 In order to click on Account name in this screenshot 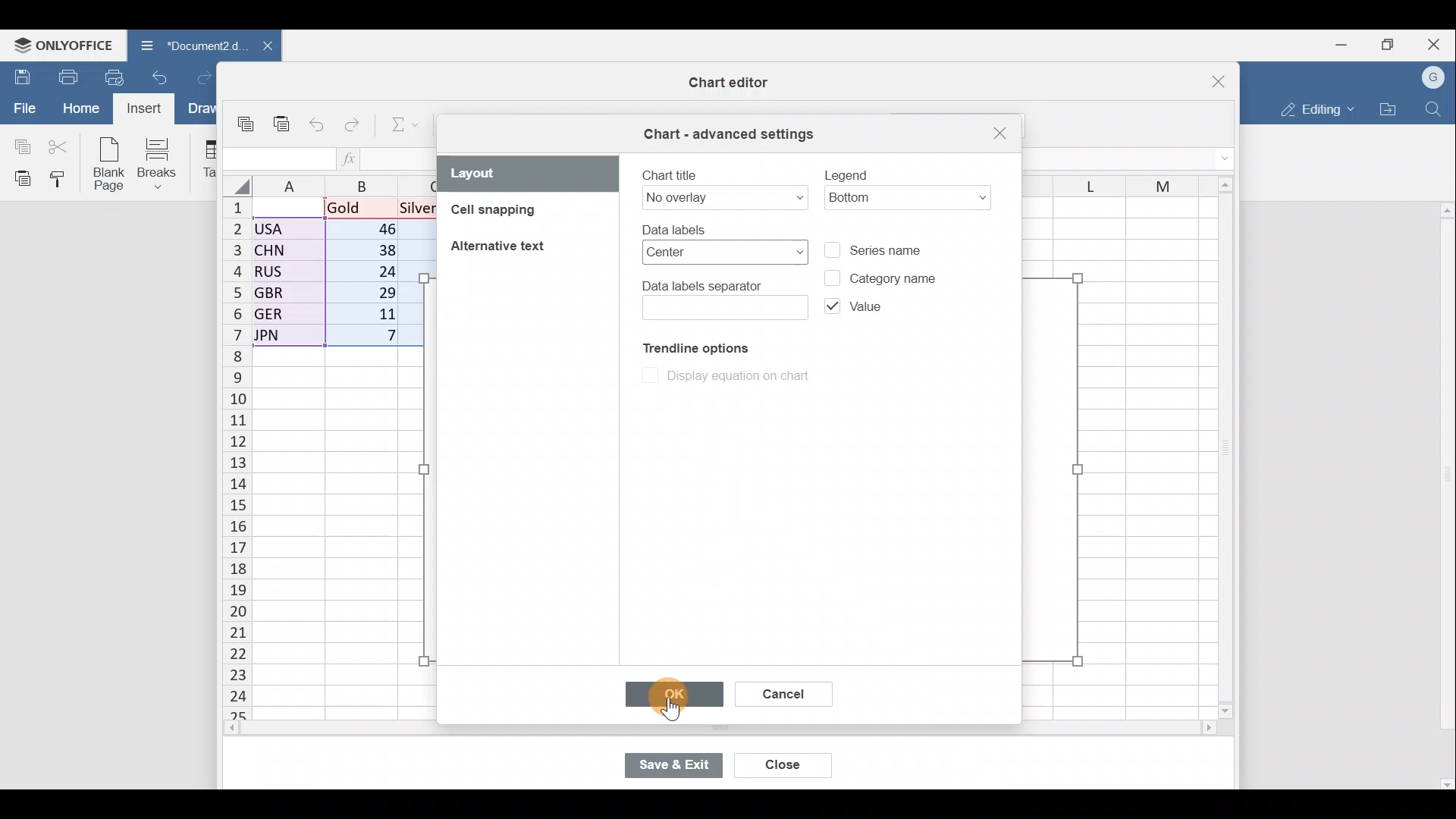, I will do `click(1434, 78)`.